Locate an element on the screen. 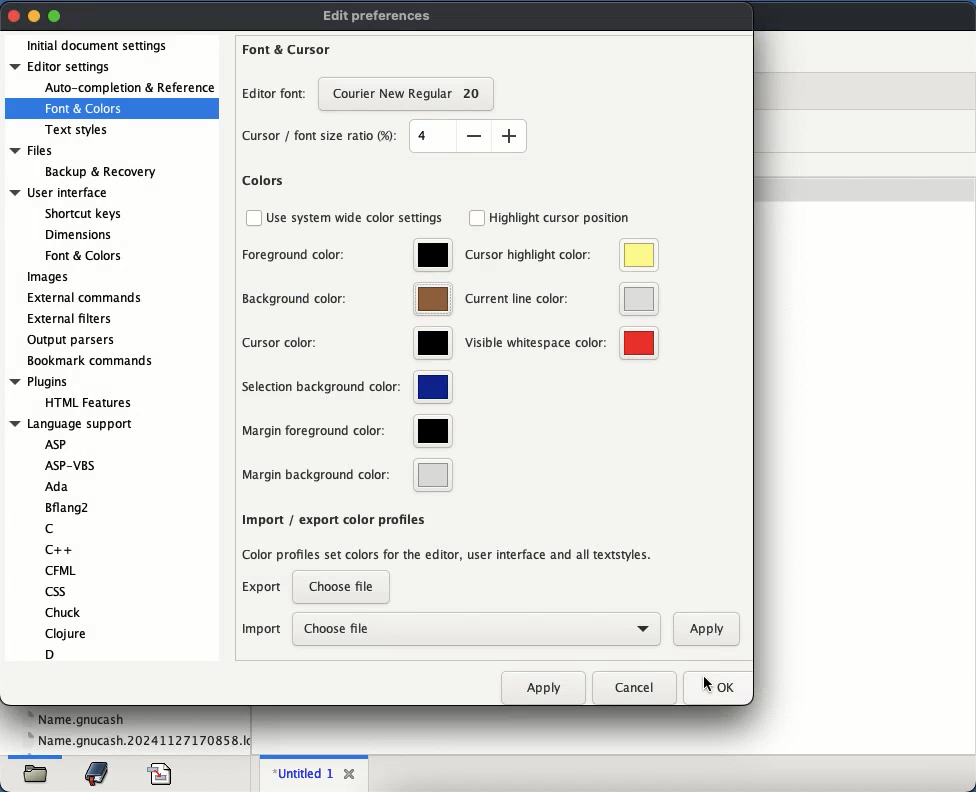 This screenshot has width=976, height=792. font size is located at coordinates (410, 96).